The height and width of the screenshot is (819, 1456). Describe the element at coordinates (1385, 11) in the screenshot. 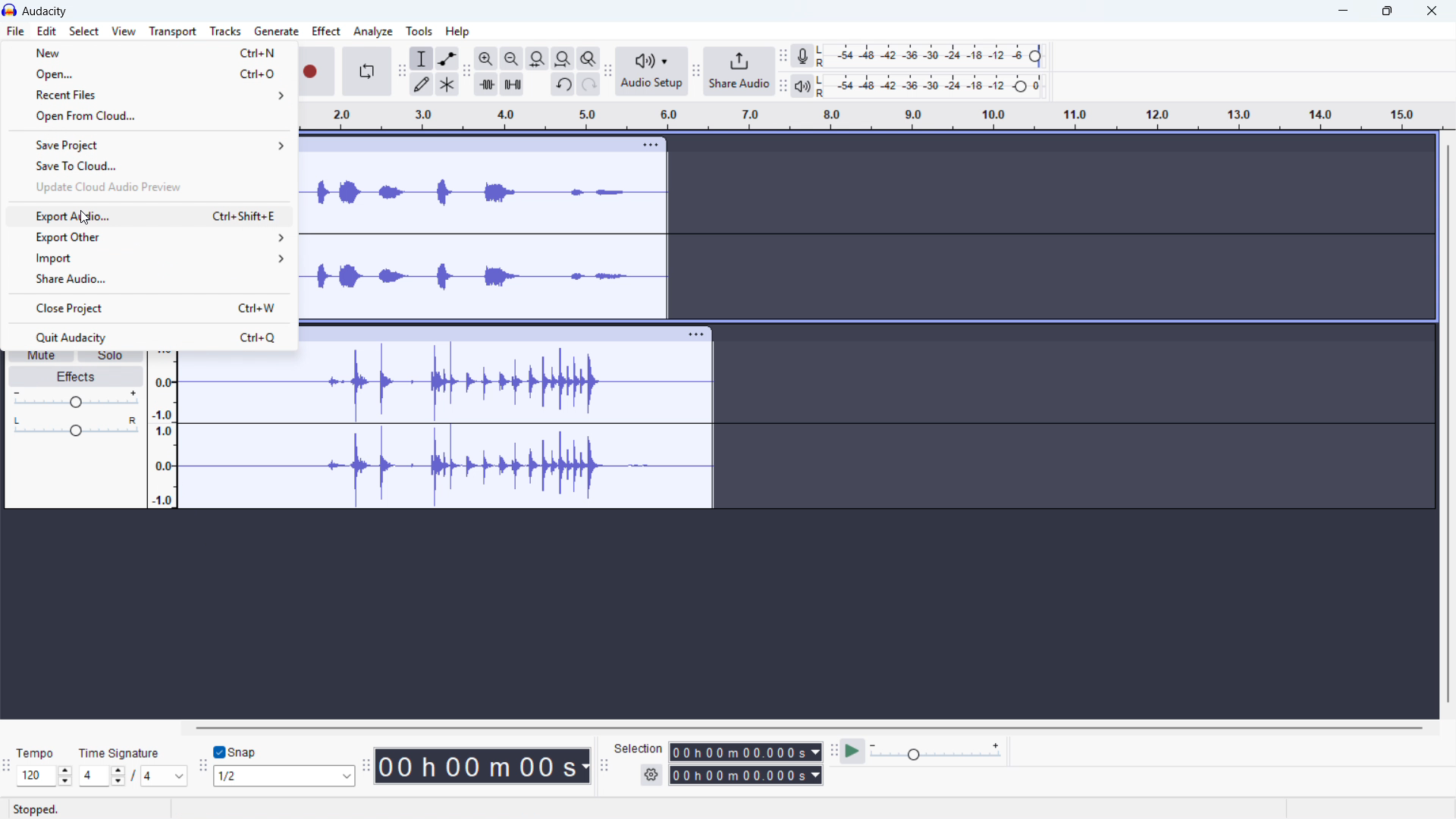

I see `Maximise ` at that location.